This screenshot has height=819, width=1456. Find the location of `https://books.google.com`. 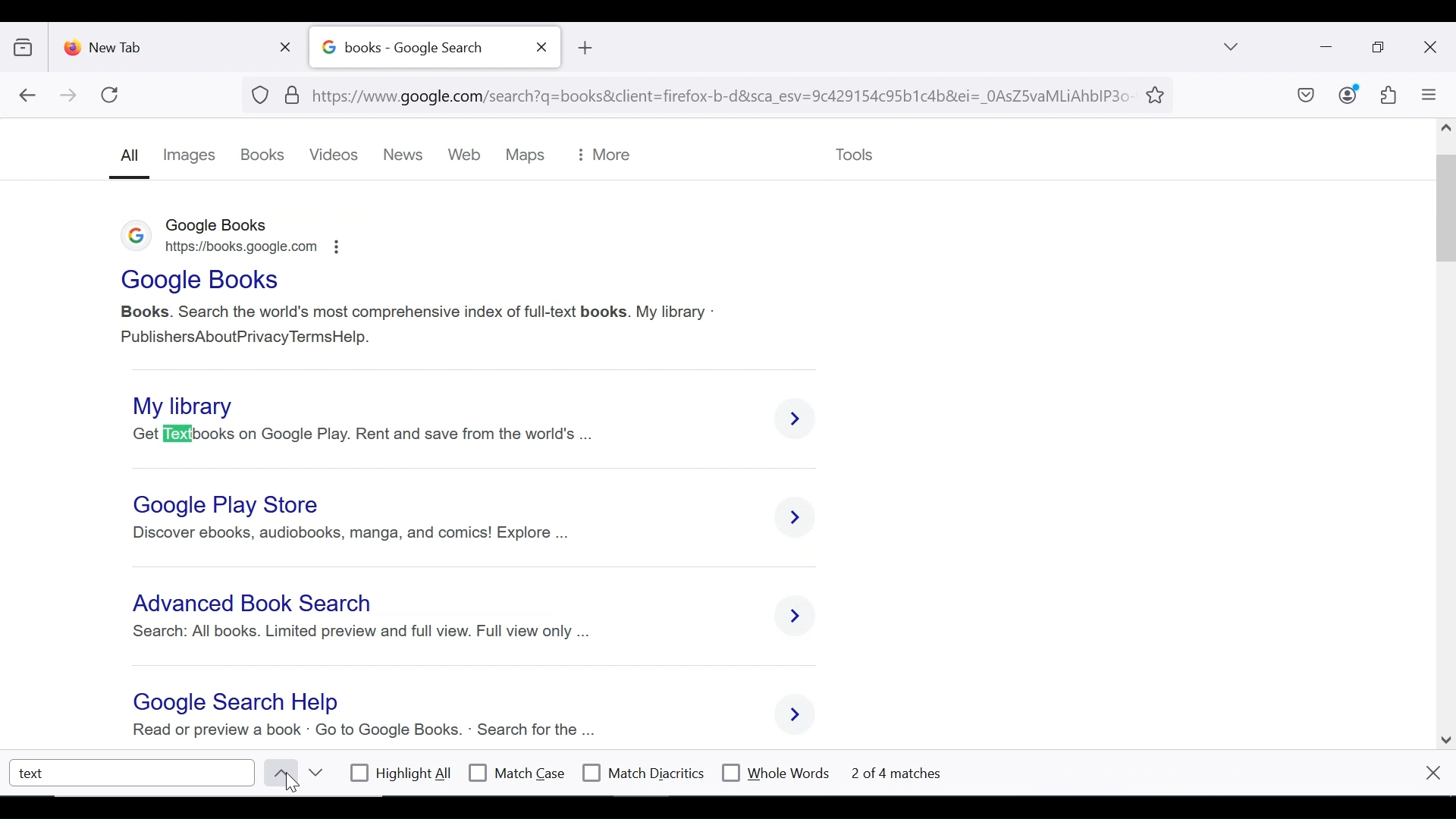

https://books.google.com is located at coordinates (249, 250).